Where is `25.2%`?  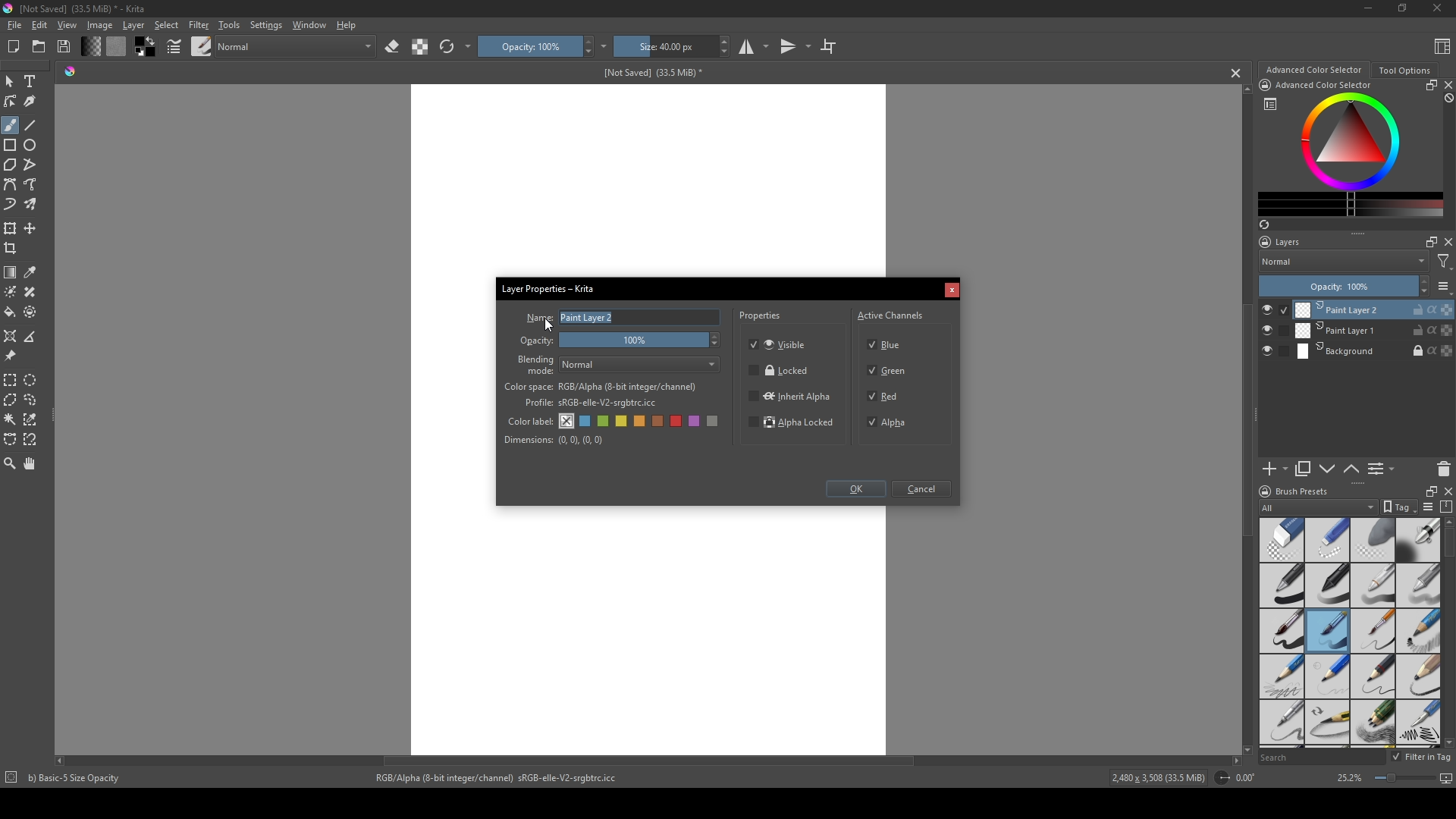
25.2% is located at coordinates (1348, 779).